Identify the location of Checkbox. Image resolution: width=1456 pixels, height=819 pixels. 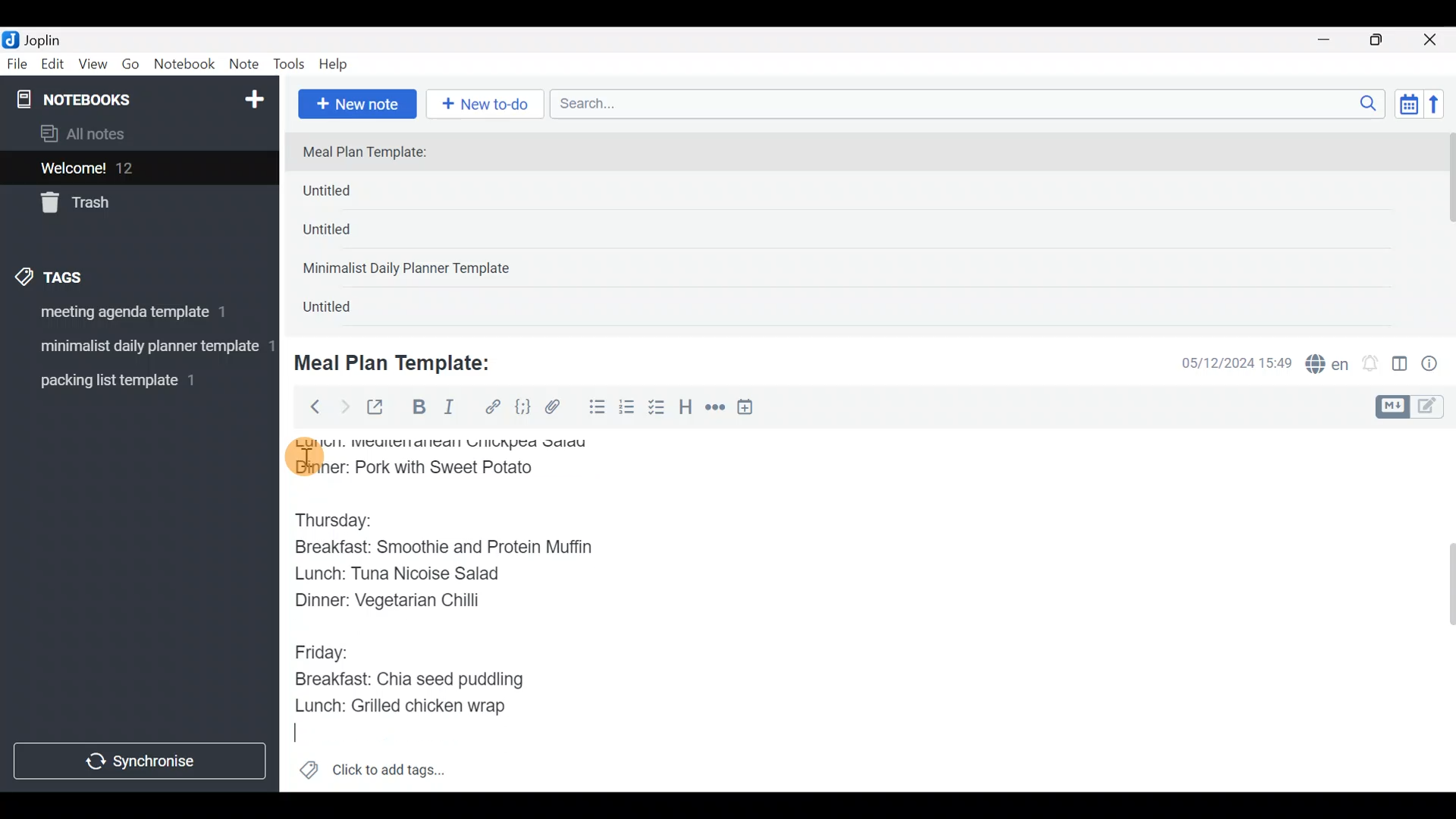
(658, 409).